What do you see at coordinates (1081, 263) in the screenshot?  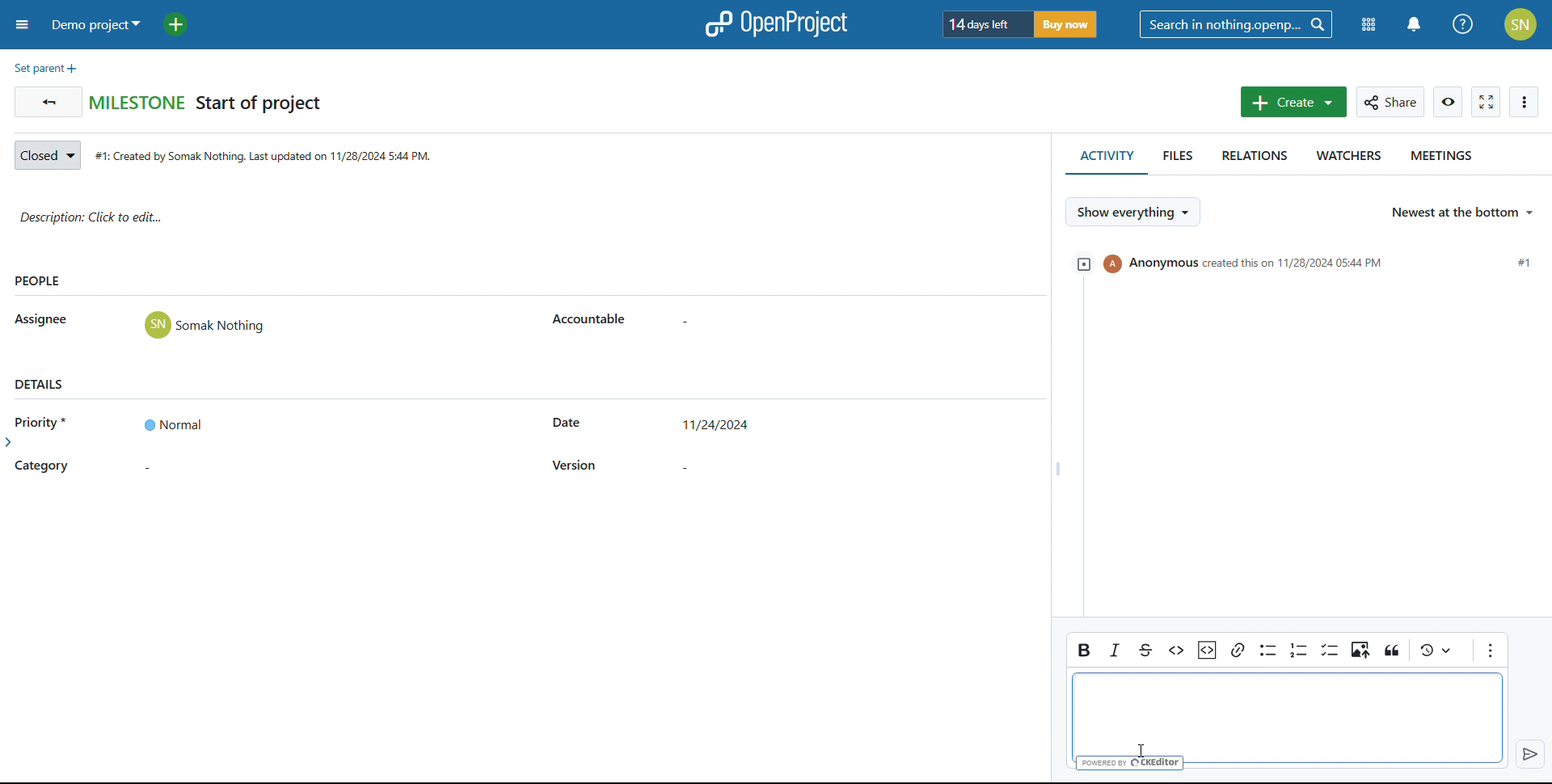 I see `expand/collapse` at bounding box center [1081, 263].